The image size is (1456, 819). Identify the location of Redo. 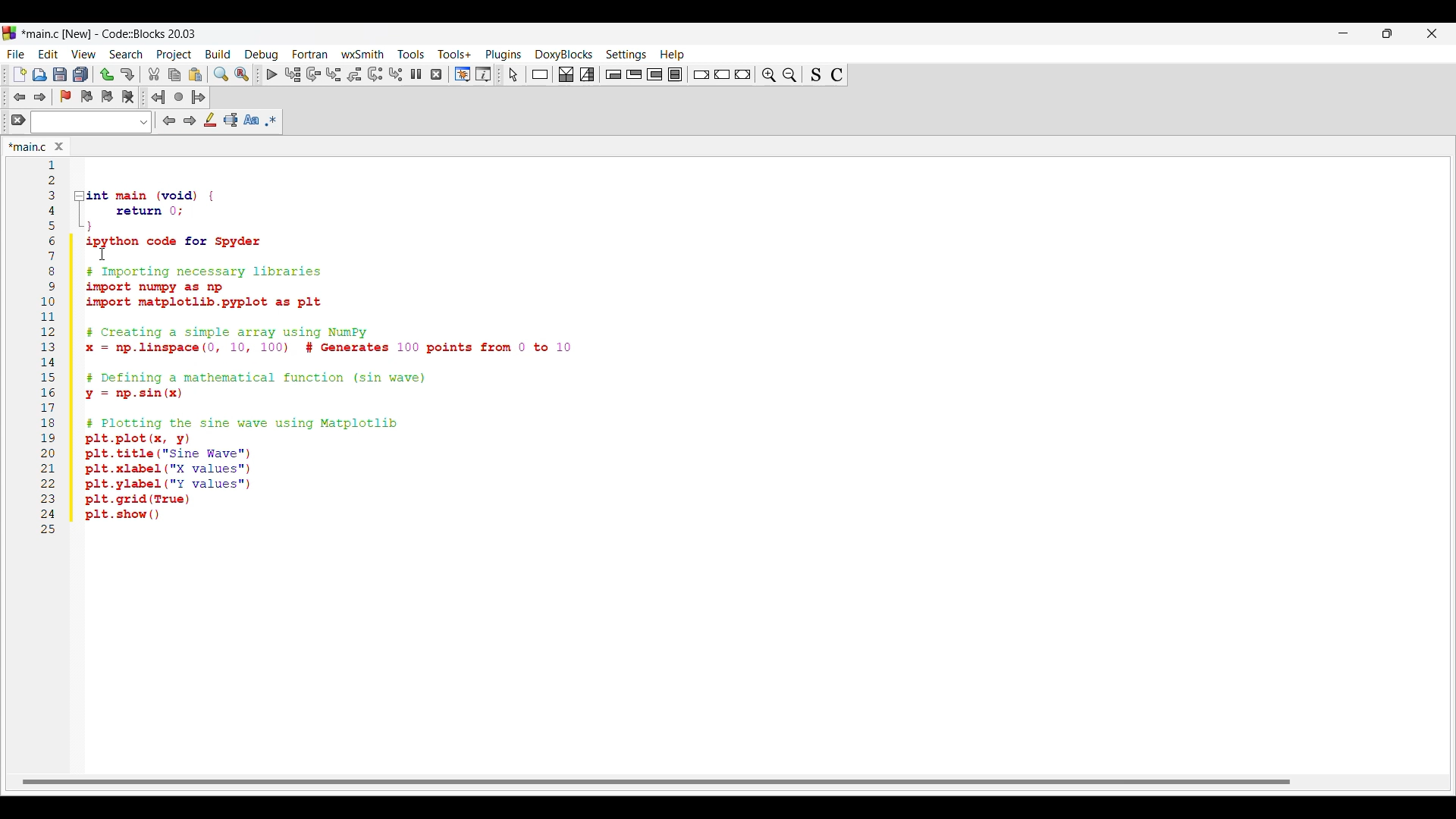
(128, 74).